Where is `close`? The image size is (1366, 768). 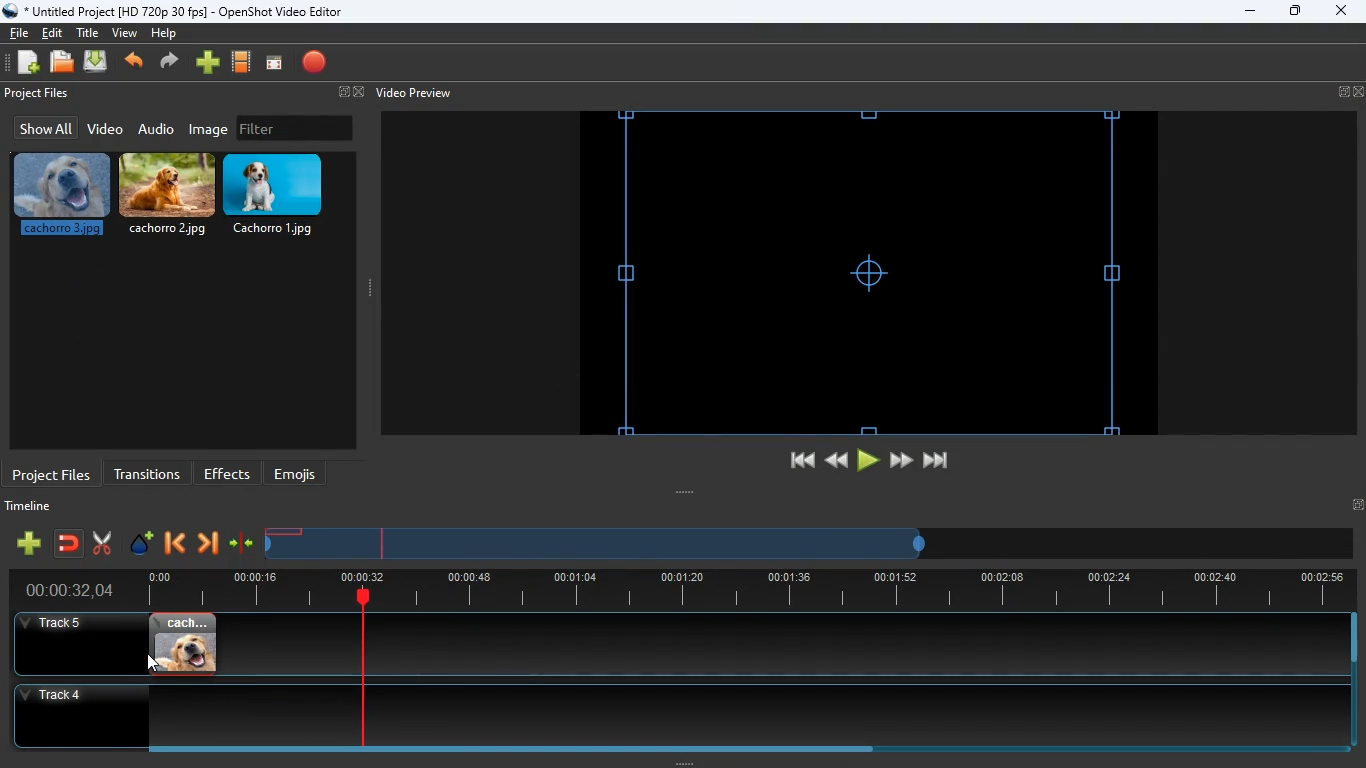
close is located at coordinates (1340, 12).